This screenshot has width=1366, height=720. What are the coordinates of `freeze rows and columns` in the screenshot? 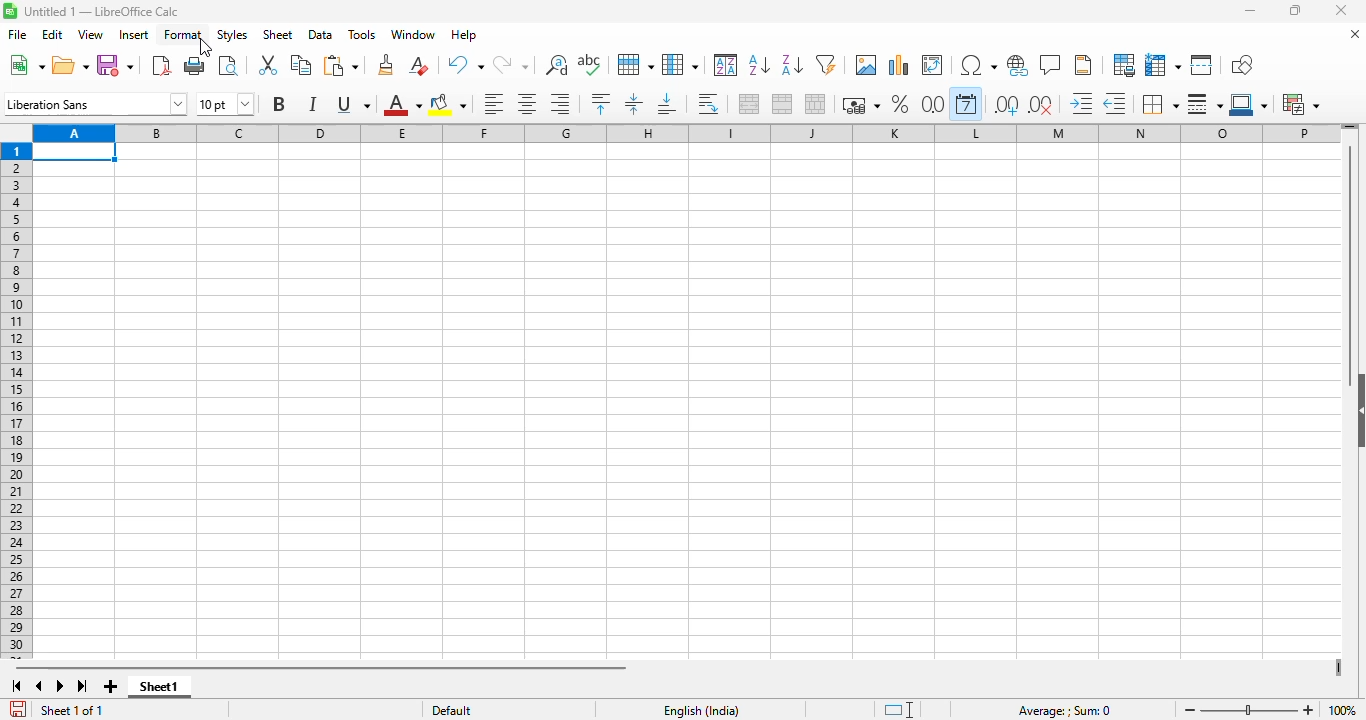 It's located at (1163, 65).